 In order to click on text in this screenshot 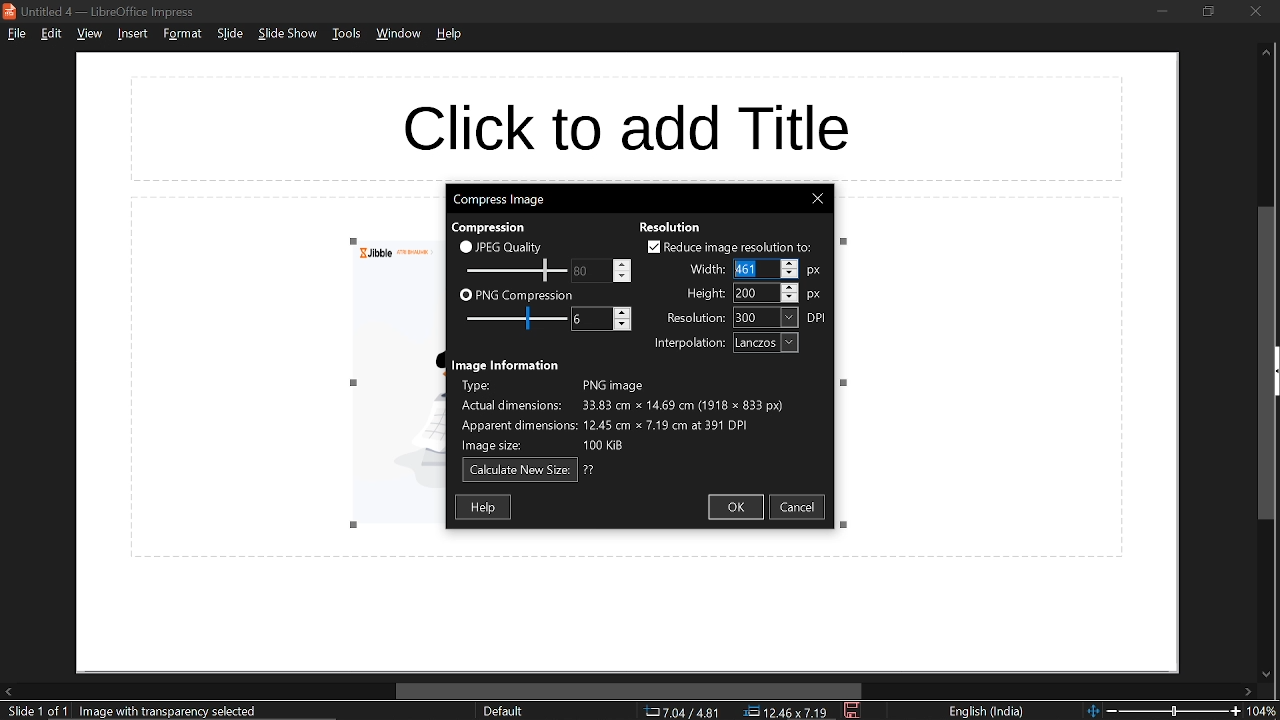, I will do `click(494, 226)`.